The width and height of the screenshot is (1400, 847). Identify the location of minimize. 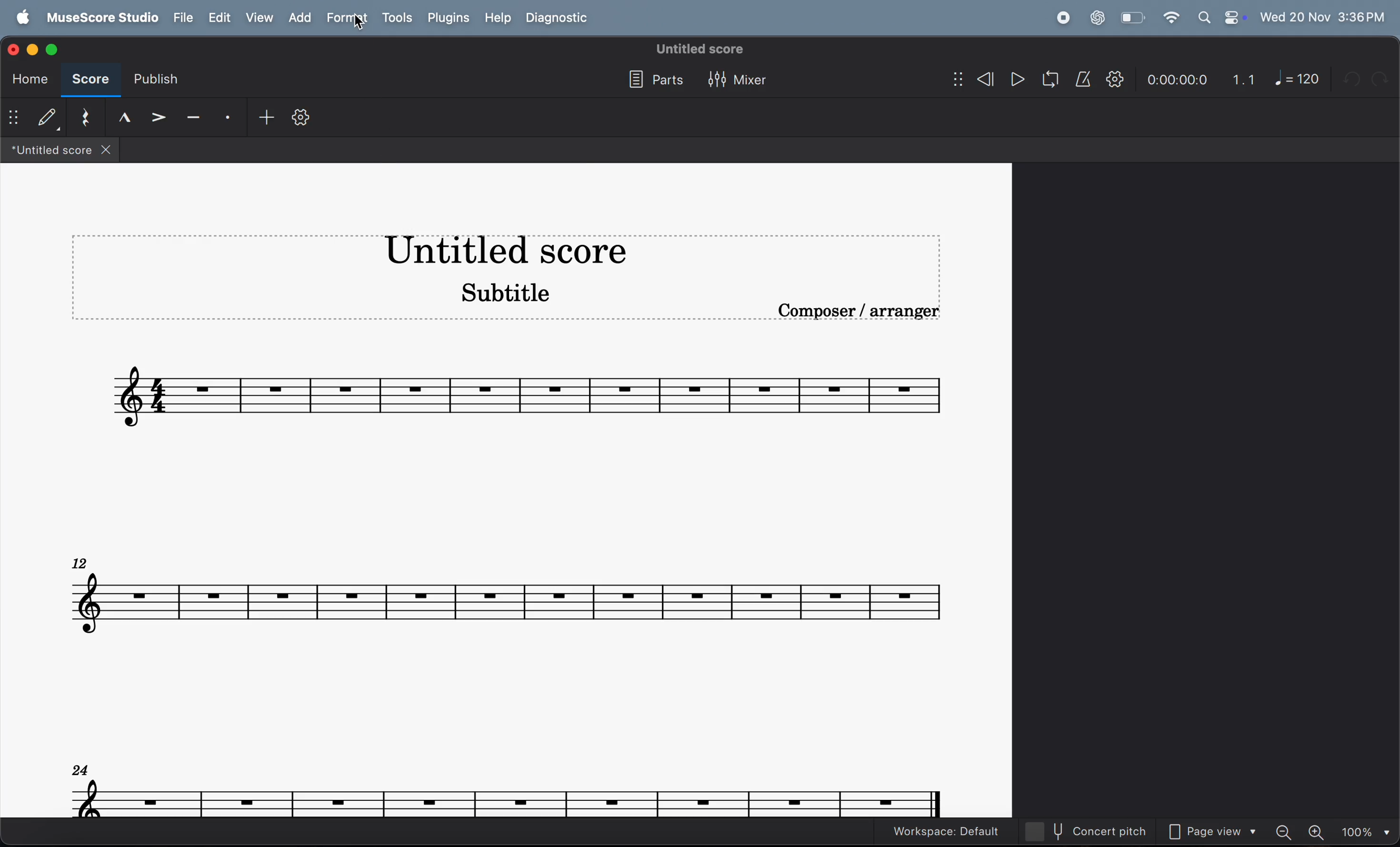
(35, 48).